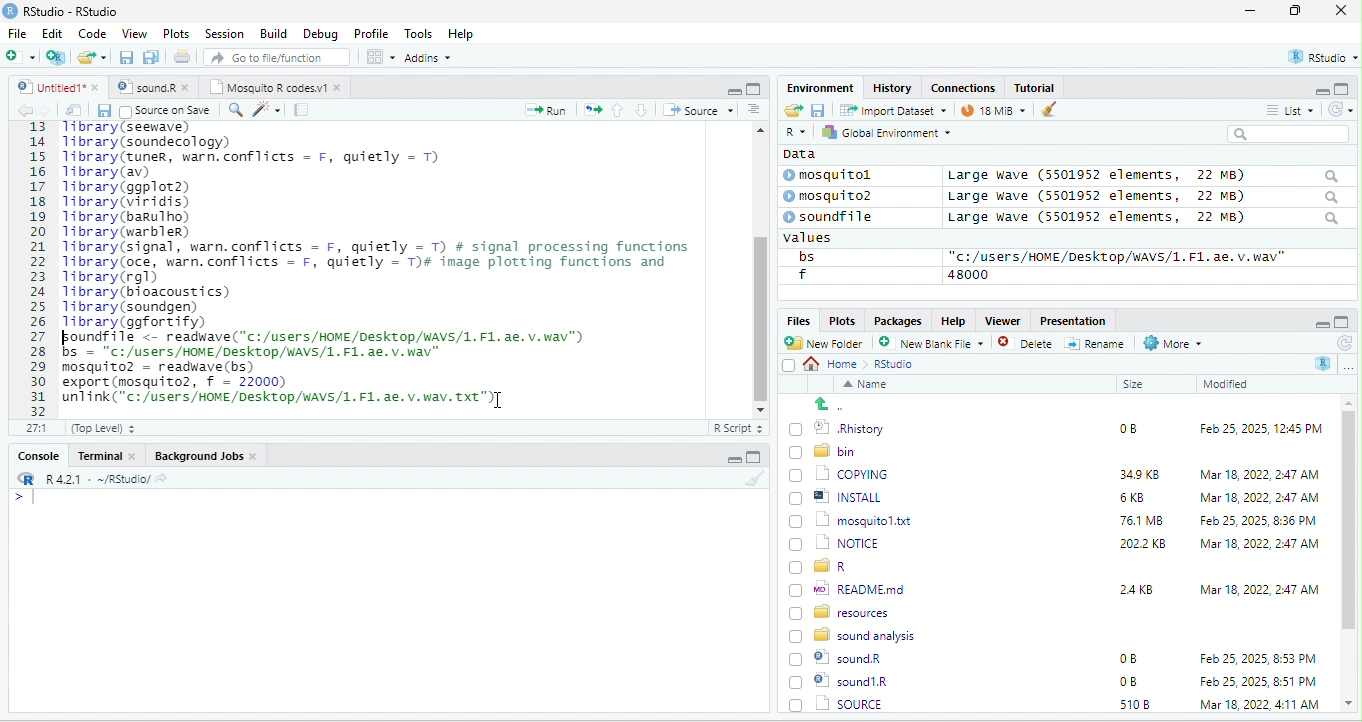  Describe the element at coordinates (753, 457) in the screenshot. I see `maximize` at that location.